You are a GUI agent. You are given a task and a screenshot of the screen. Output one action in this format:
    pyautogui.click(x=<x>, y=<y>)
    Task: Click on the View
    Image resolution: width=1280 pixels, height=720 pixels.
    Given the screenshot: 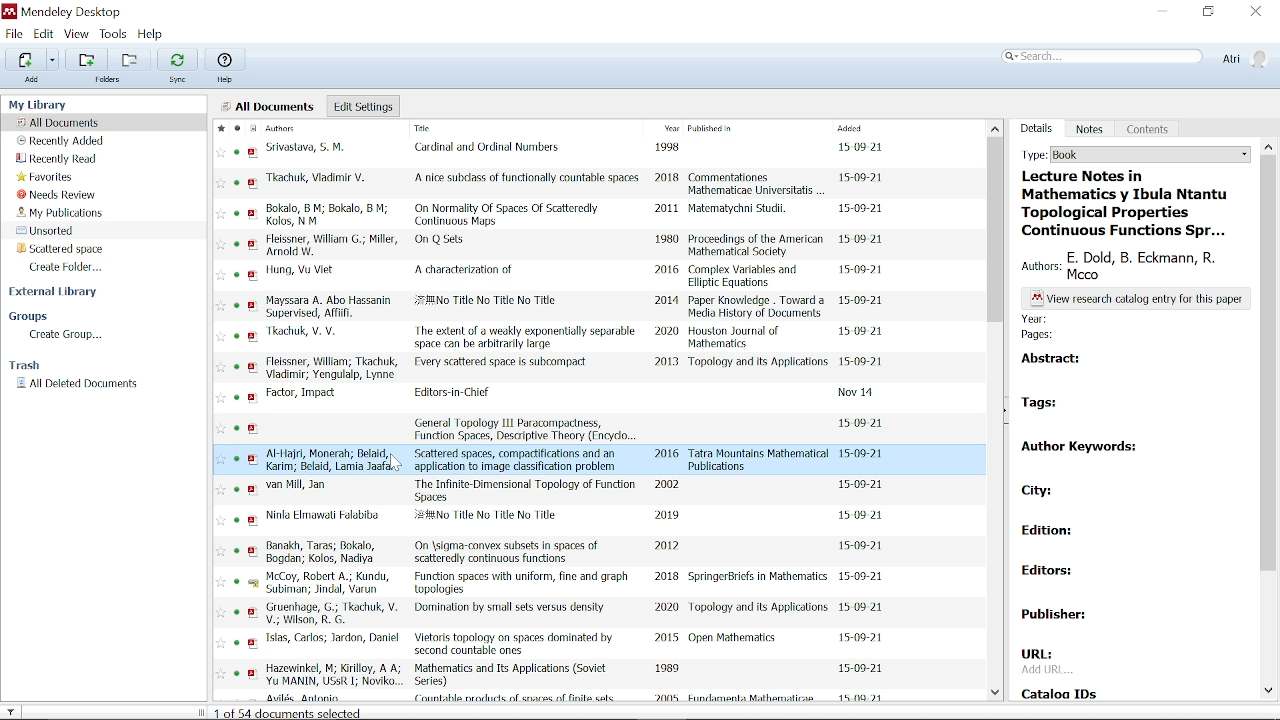 What is the action you would take?
    pyautogui.click(x=77, y=34)
    